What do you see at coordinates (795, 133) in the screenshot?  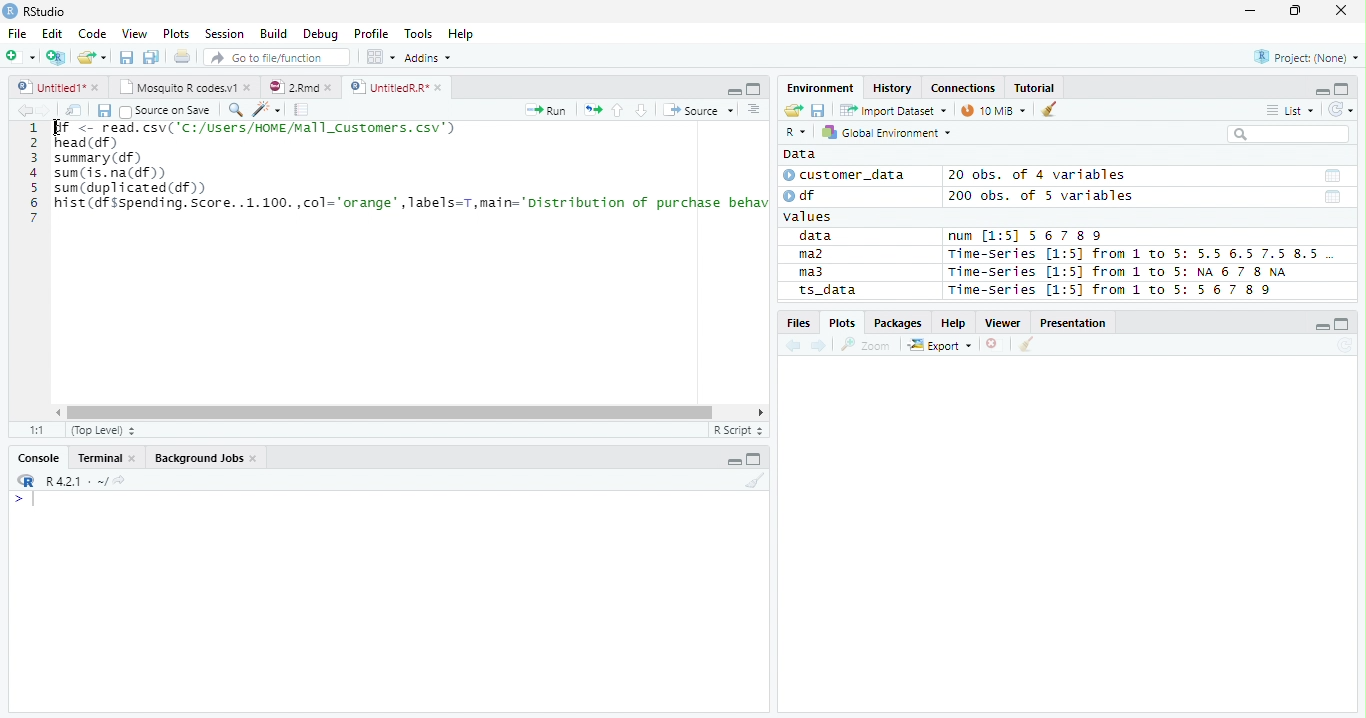 I see `R` at bounding box center [795, 133].